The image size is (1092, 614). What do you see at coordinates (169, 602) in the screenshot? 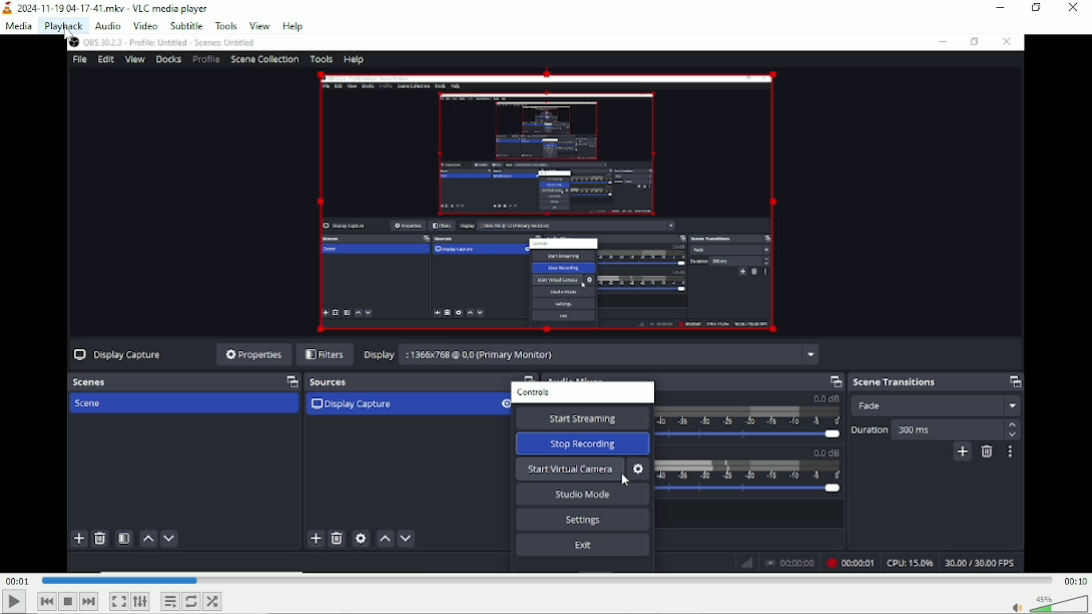
I see `Toggle playlist` at bounding box center [169, 602].